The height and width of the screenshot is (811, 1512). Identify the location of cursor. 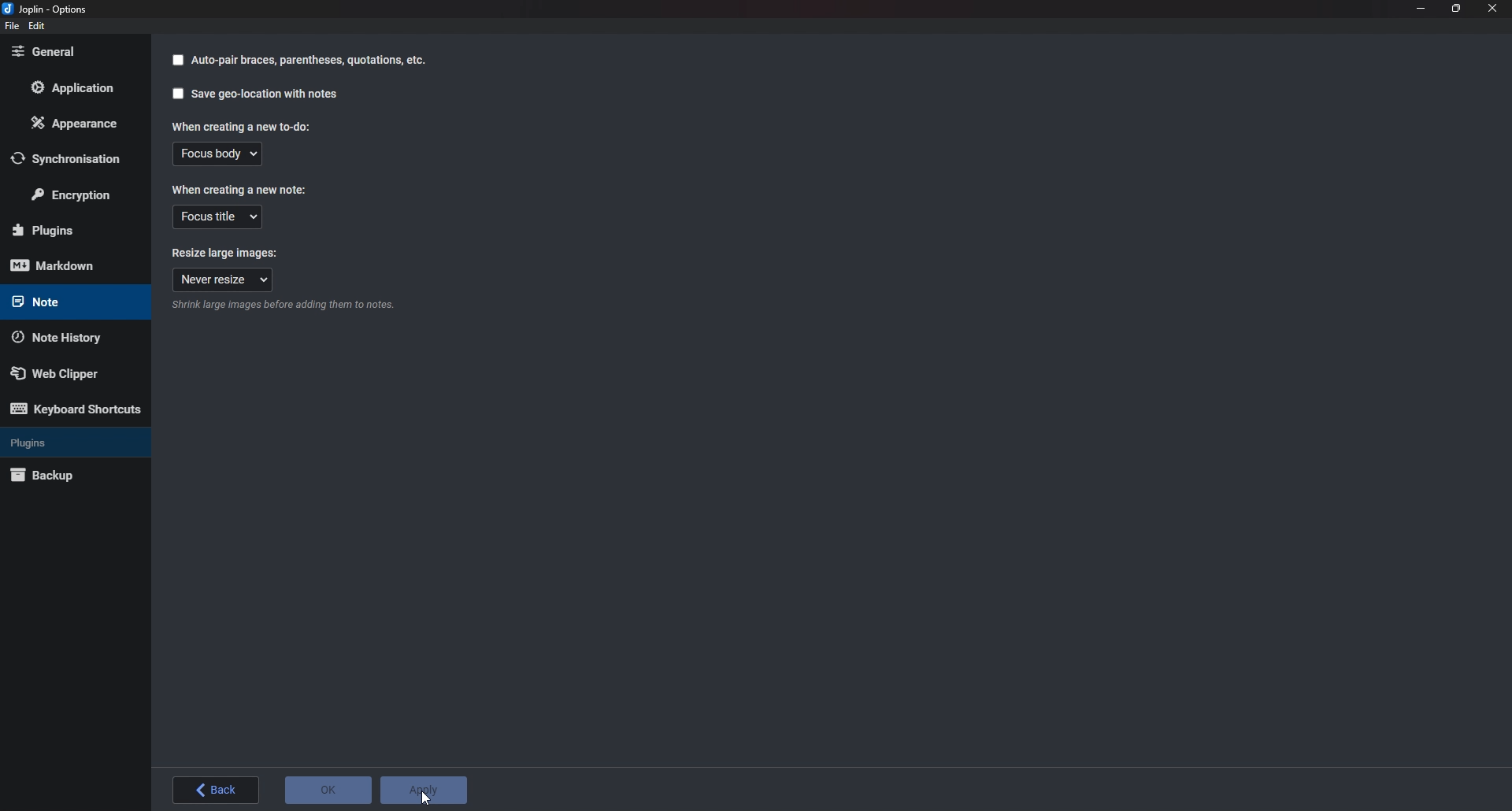
(428, 787).